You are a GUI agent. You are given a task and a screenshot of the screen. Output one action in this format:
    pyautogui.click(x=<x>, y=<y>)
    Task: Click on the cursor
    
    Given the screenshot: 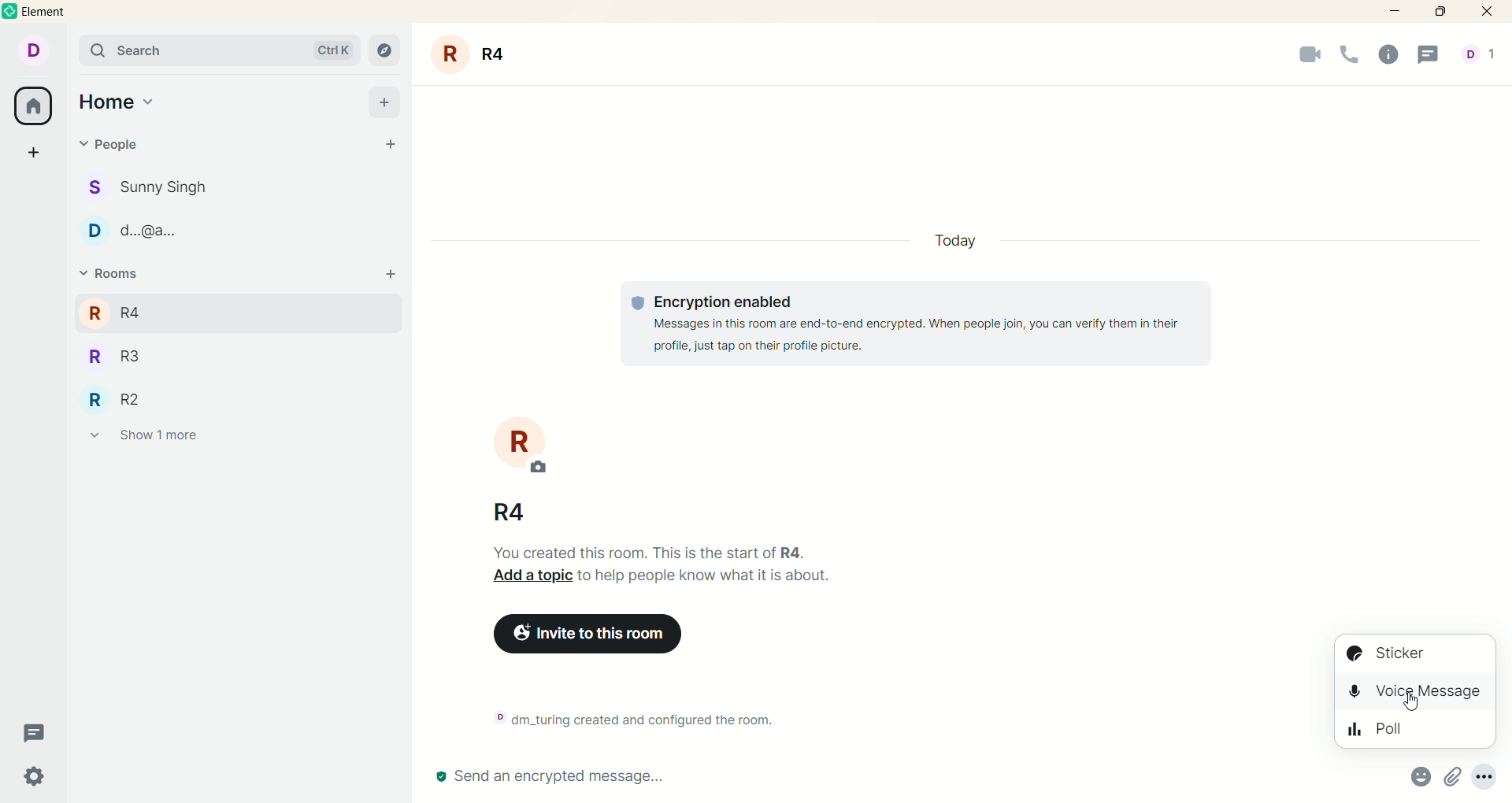 What is the action you would take?
    pyautogui.click(x=1406, y=705)
    